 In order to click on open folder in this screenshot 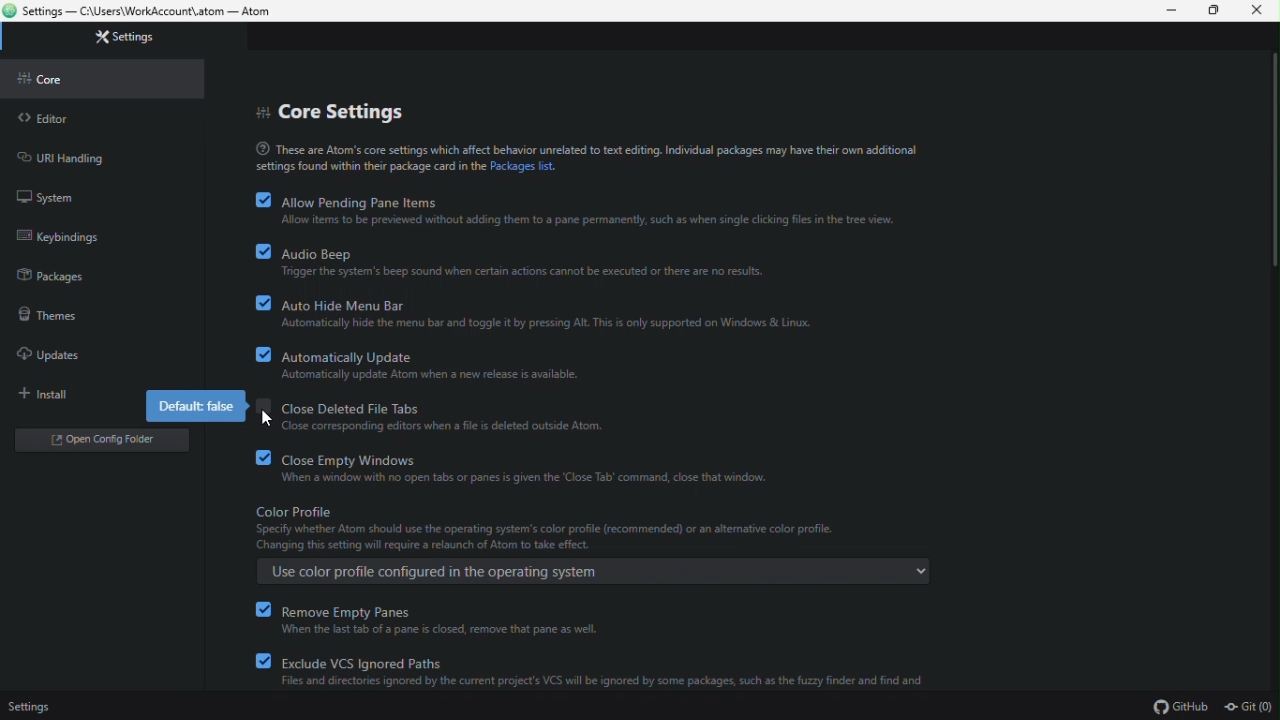, I will do `click(91, 440)`.